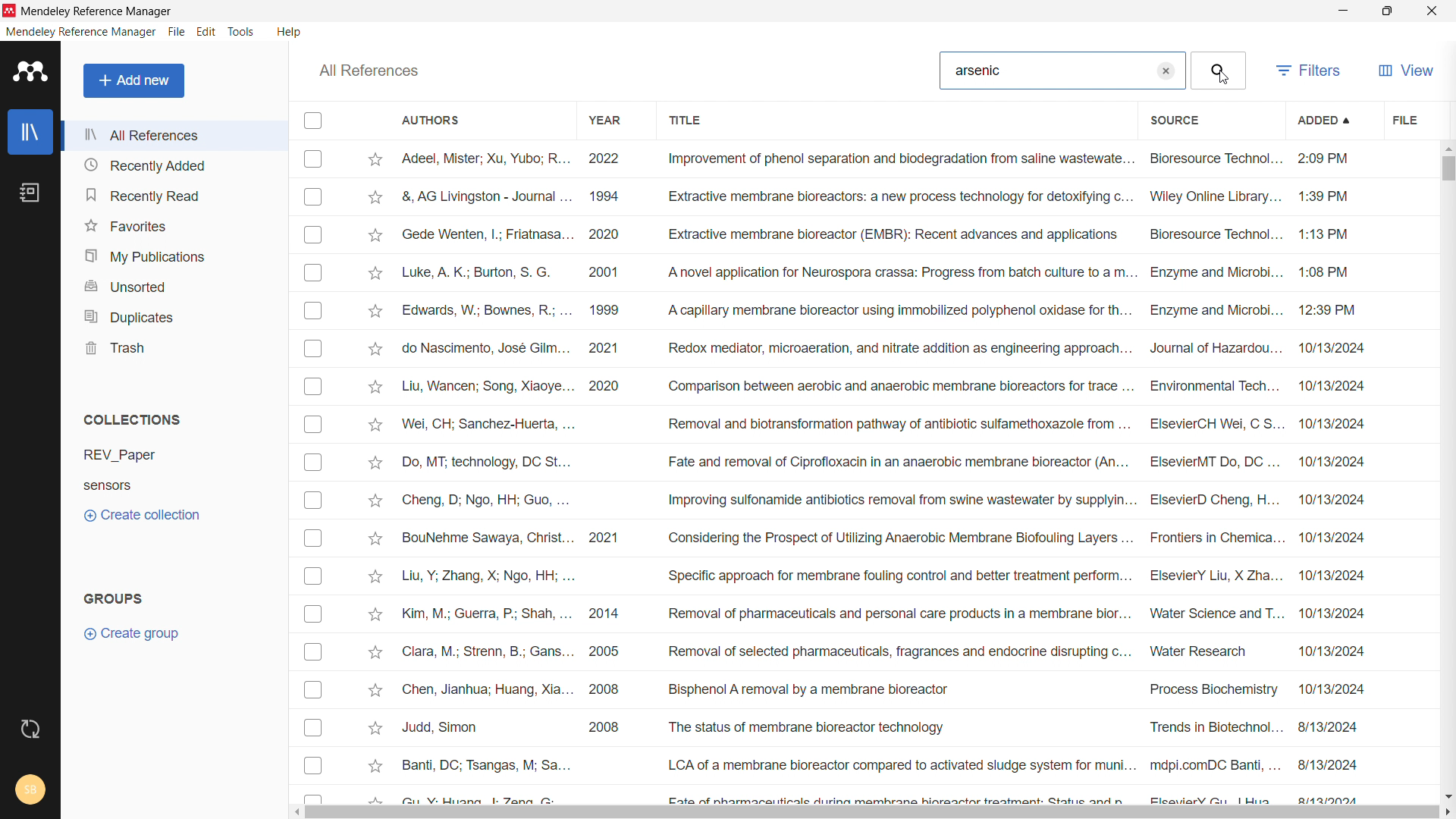  What do you see at coordinates (370, 70) in the screenshot?
I see `all references` at bounding box center [370, 70].